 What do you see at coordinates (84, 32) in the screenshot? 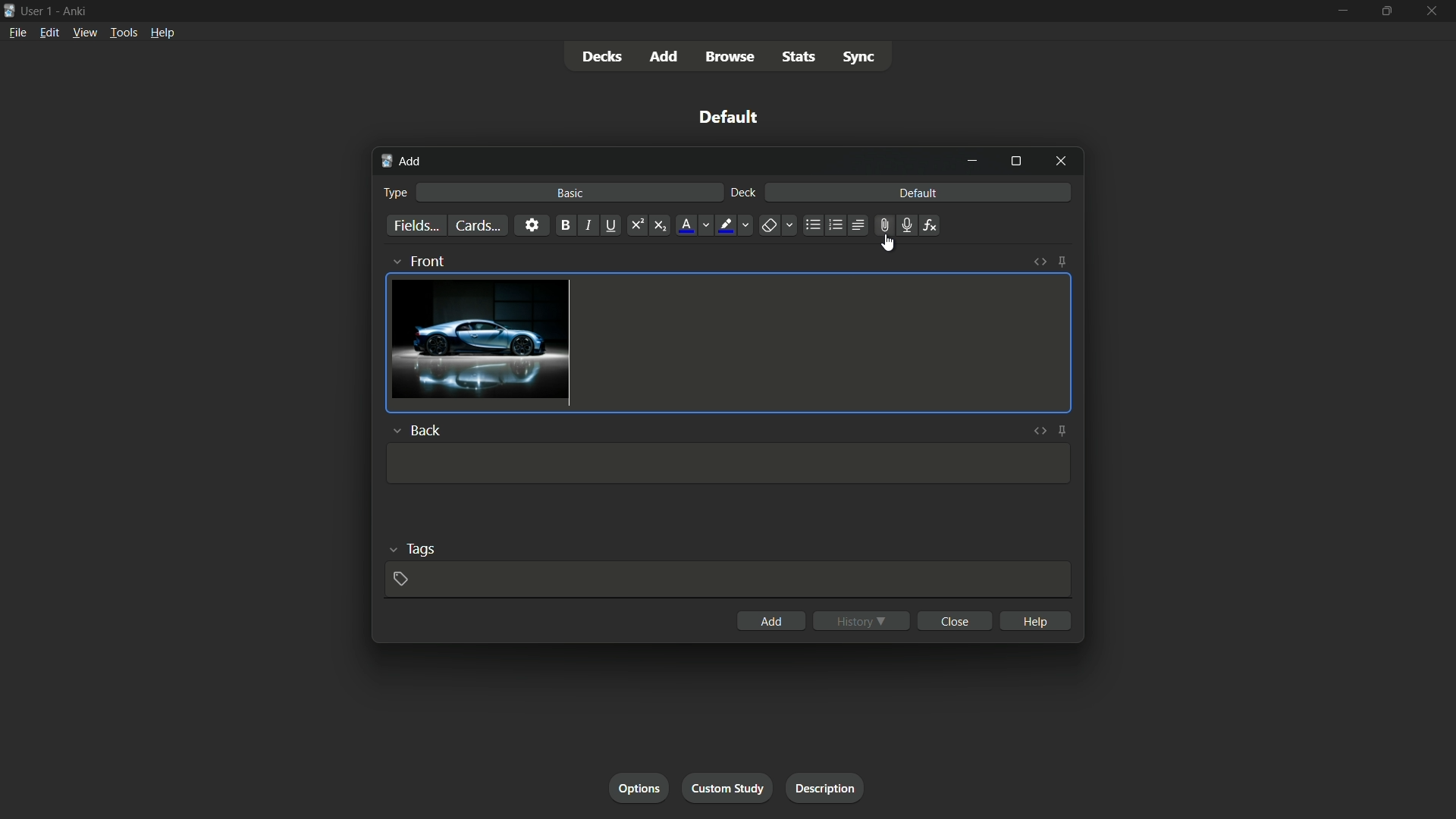
I see `view menu` at bounding box center [84, 32].